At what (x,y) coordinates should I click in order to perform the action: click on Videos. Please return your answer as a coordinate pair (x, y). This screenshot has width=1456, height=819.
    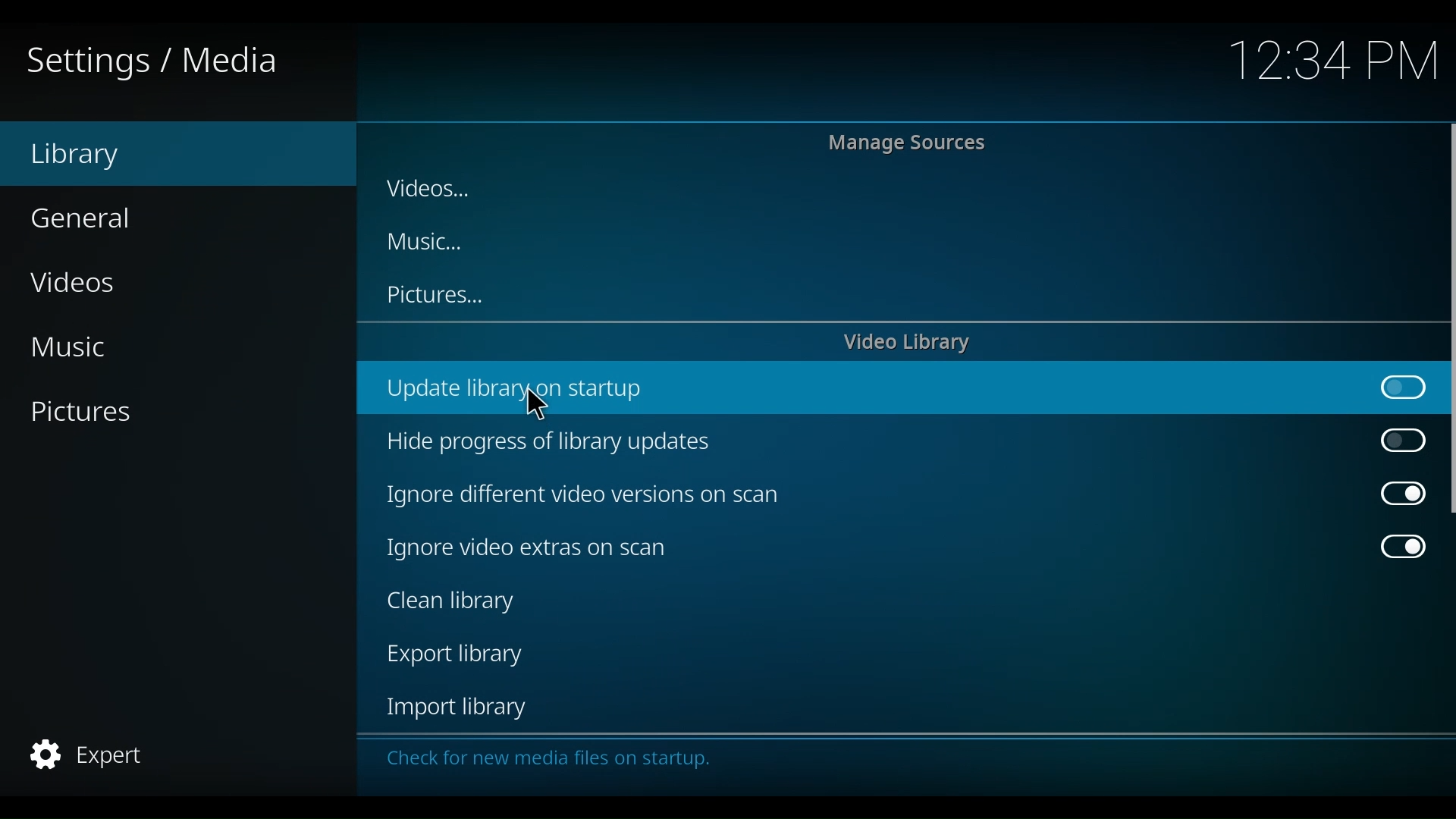
    Looking at the image, I should click on (438, 190).